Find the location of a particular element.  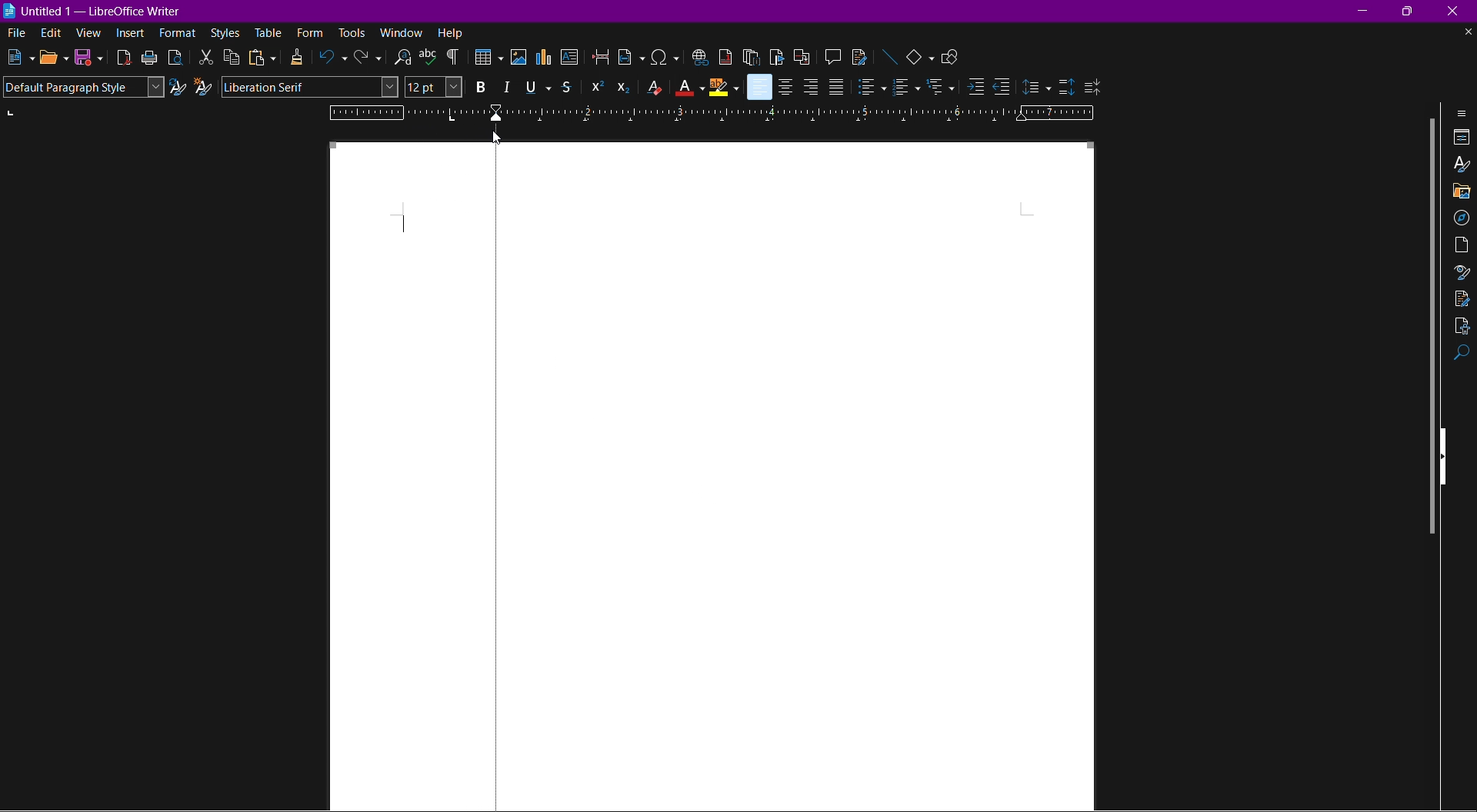

text cursor is located at coordinates (405, 225).